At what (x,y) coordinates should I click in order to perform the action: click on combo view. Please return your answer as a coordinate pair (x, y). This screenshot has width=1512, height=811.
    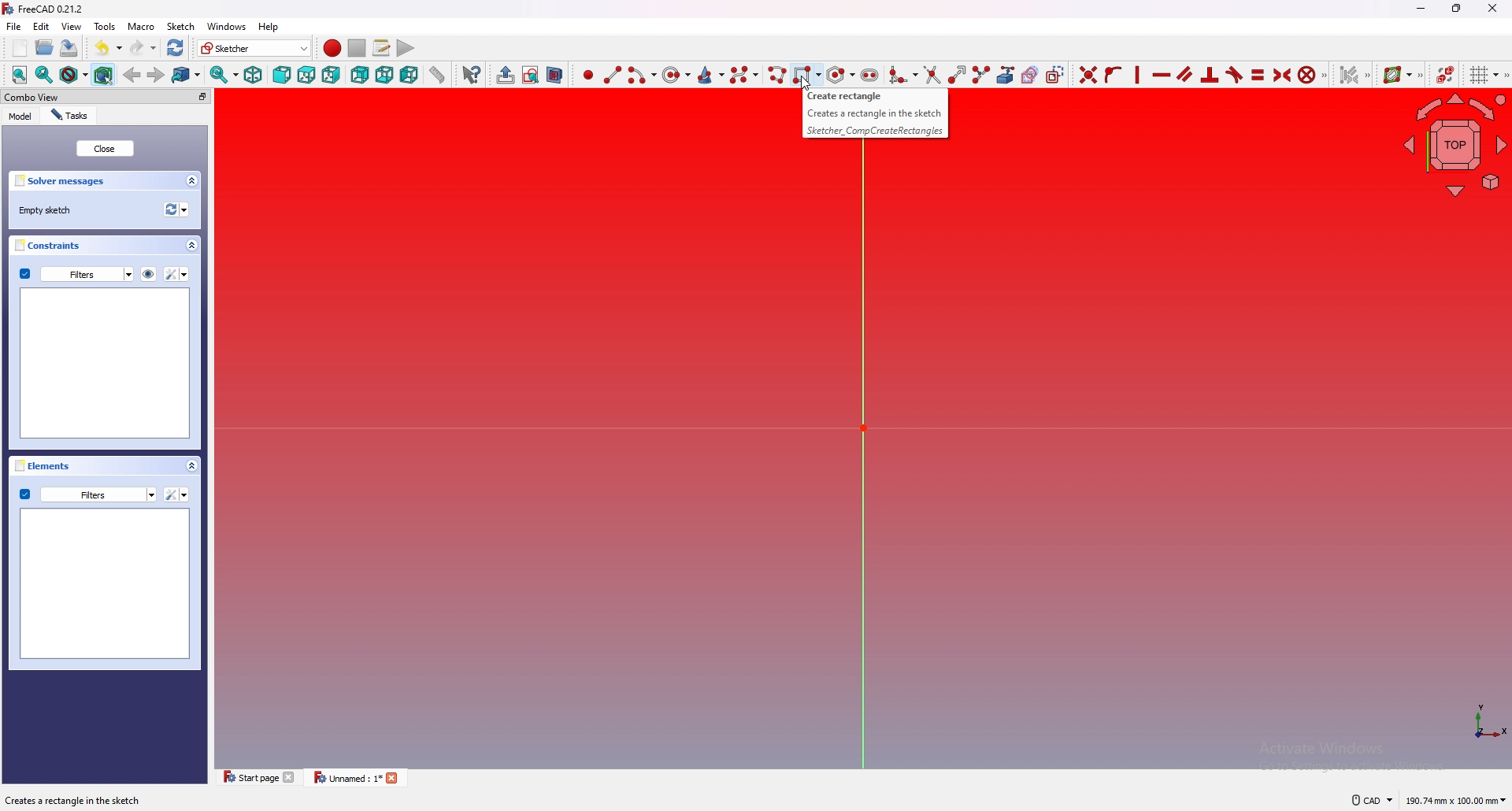
    Looking at the image, I should click on (31, 96).